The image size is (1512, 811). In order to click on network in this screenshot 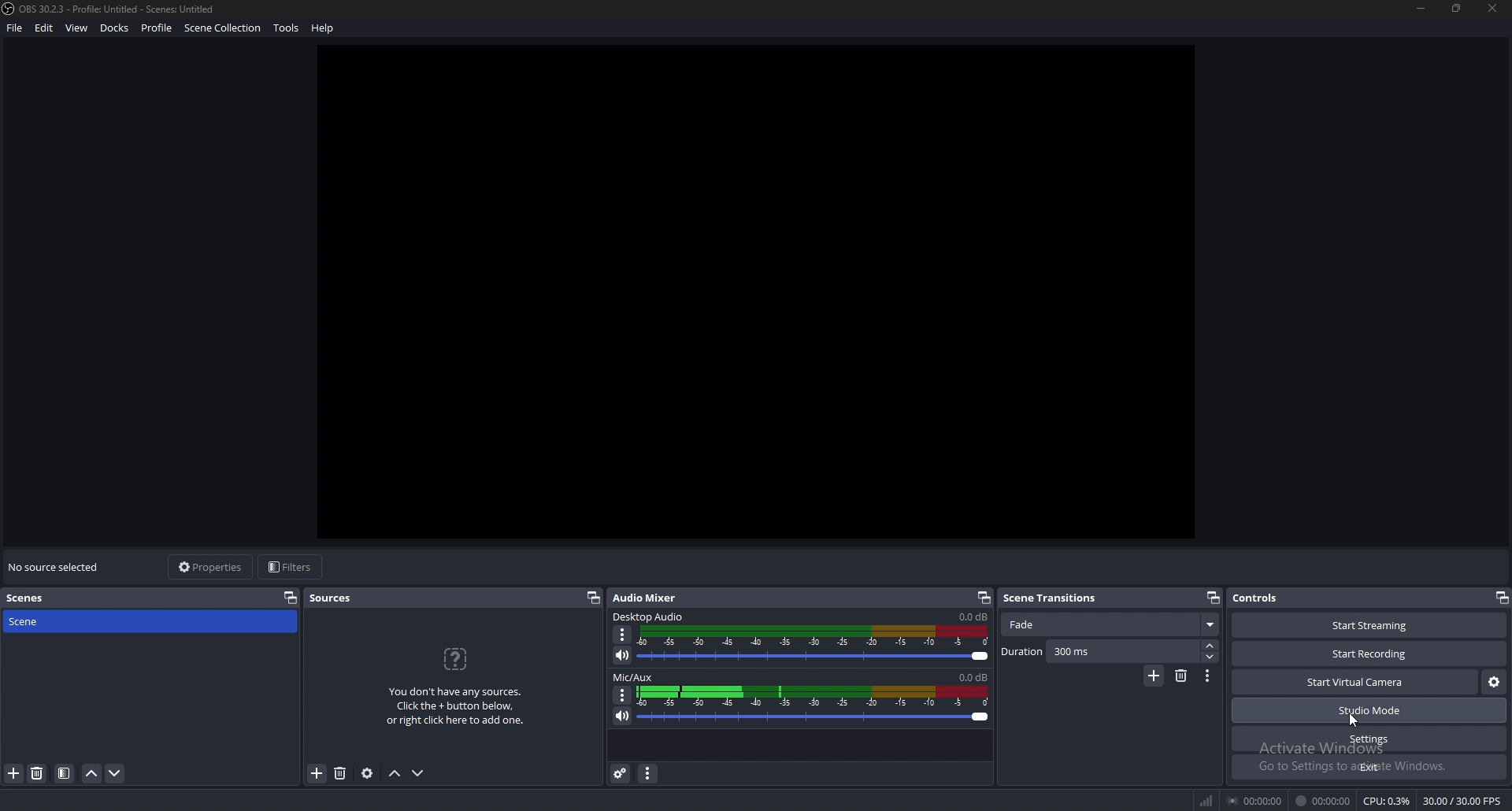, I will do `click(1204, 801)`.